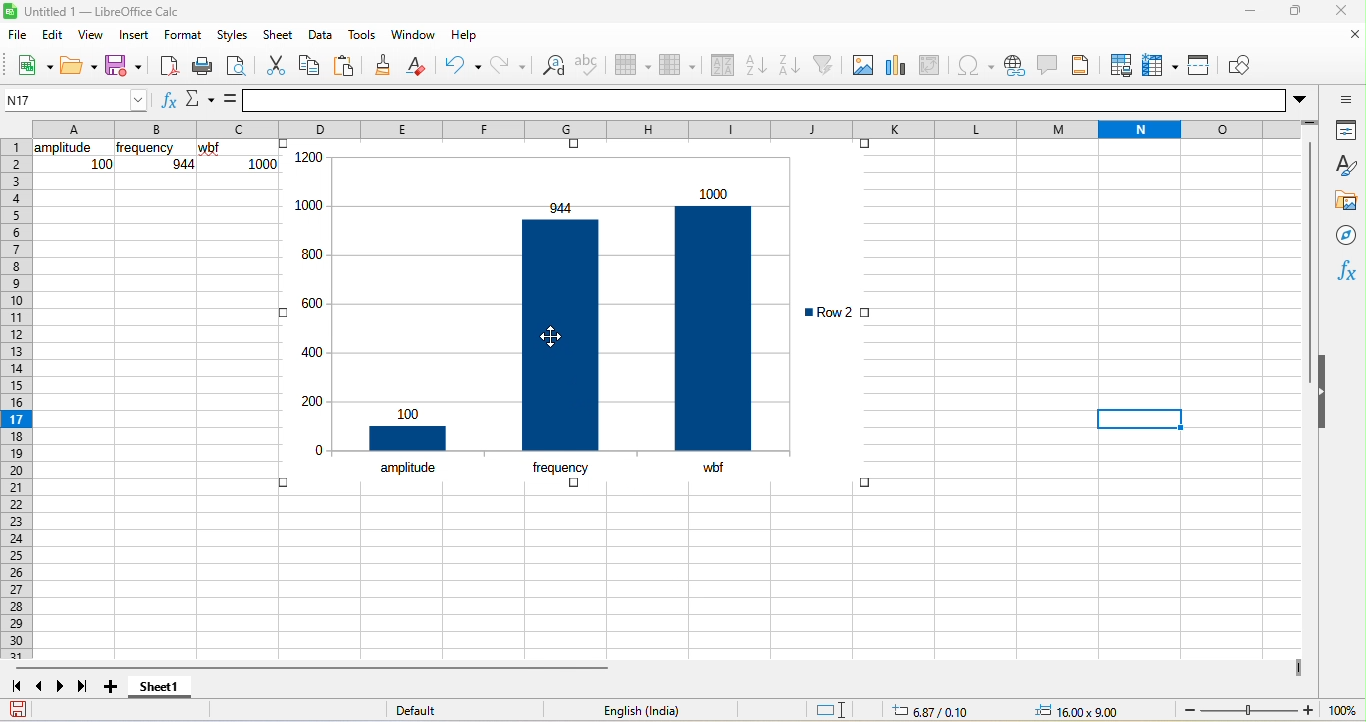 This screenshot has height=722, width=1366. Describe the element at coordinates (113, 690) in the screenshot. I see `add sheet` at that location.